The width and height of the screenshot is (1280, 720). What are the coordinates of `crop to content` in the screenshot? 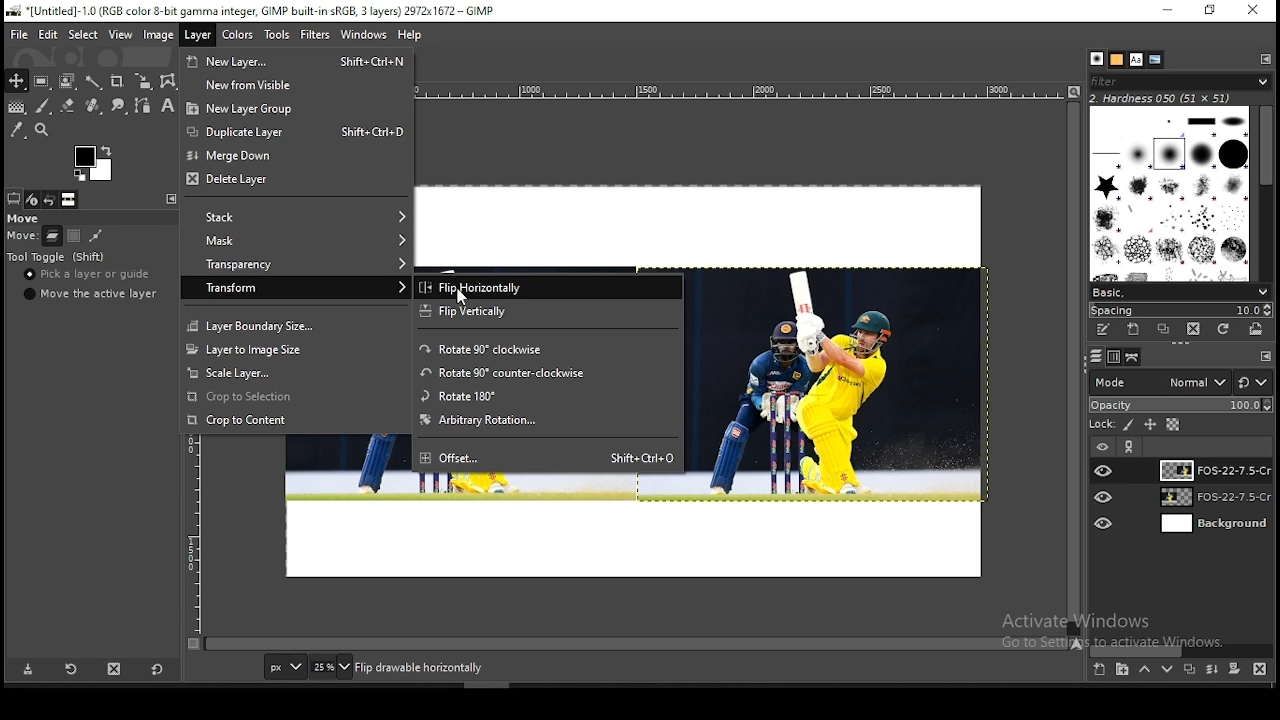 It's located at (295, 419).